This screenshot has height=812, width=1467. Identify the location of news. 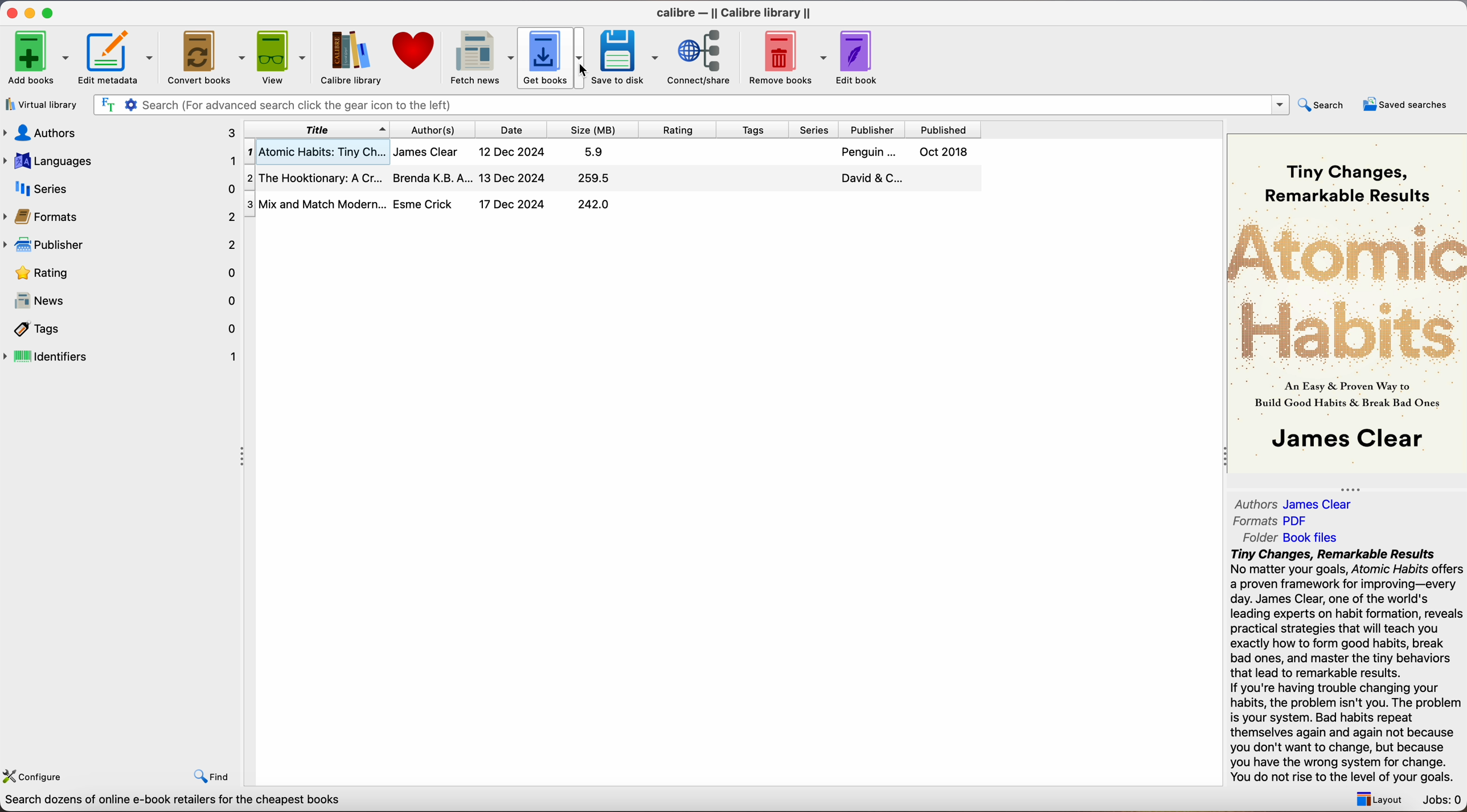
(123, 302).